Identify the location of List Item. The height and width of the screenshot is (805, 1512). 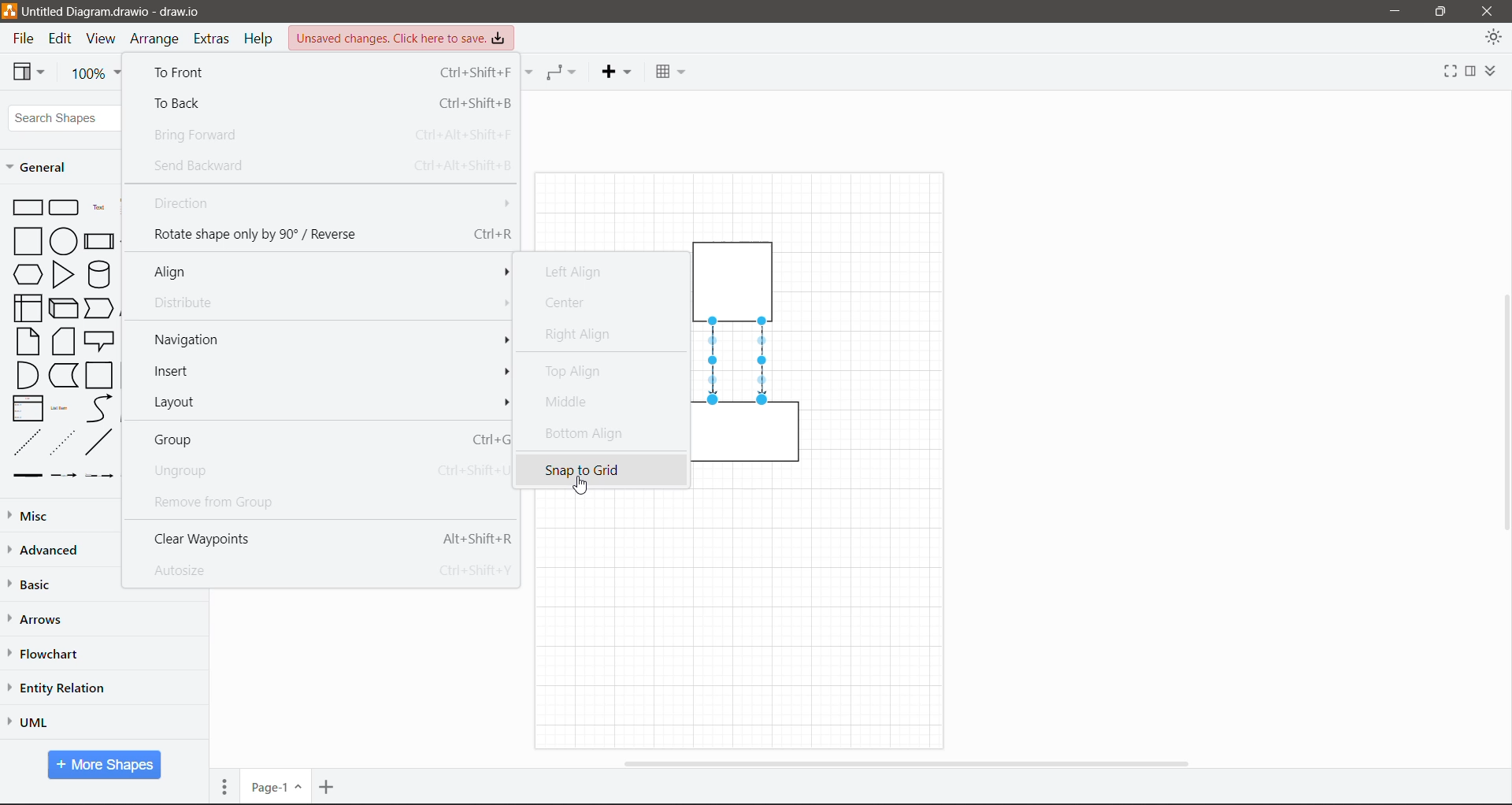
(61, 409).